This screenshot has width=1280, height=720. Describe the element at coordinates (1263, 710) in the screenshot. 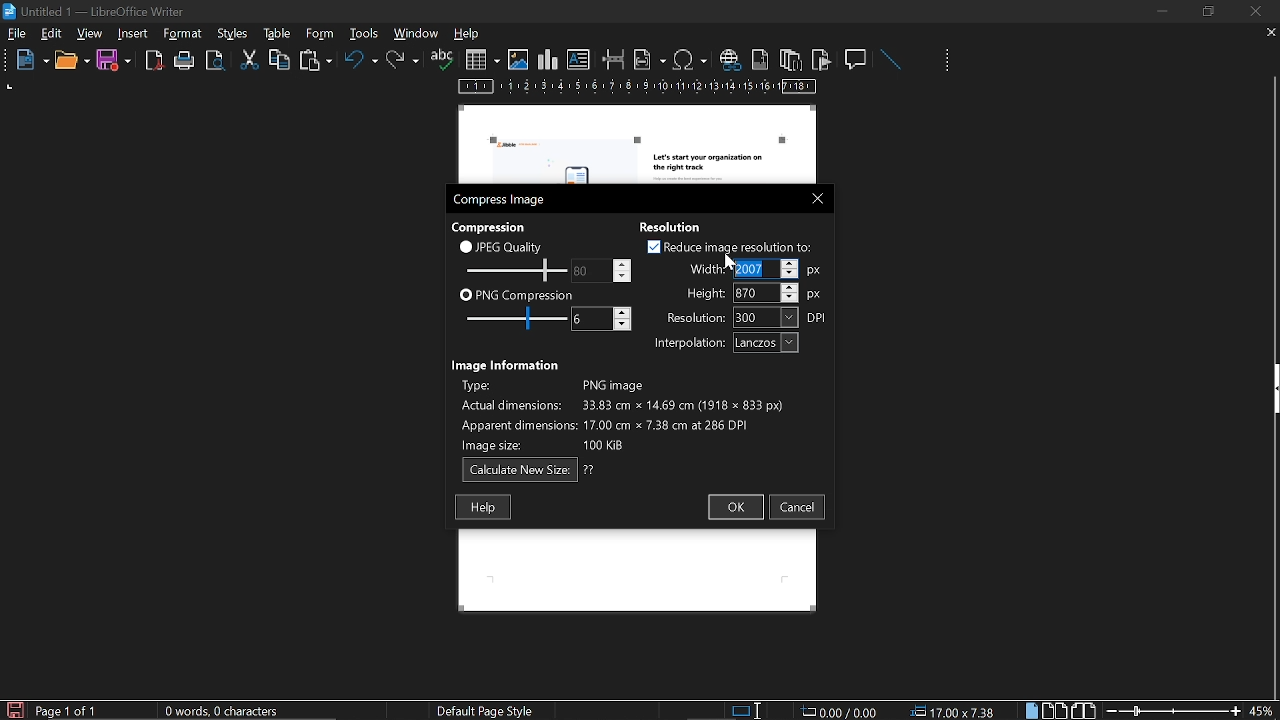

I see `current zoom` at that location.